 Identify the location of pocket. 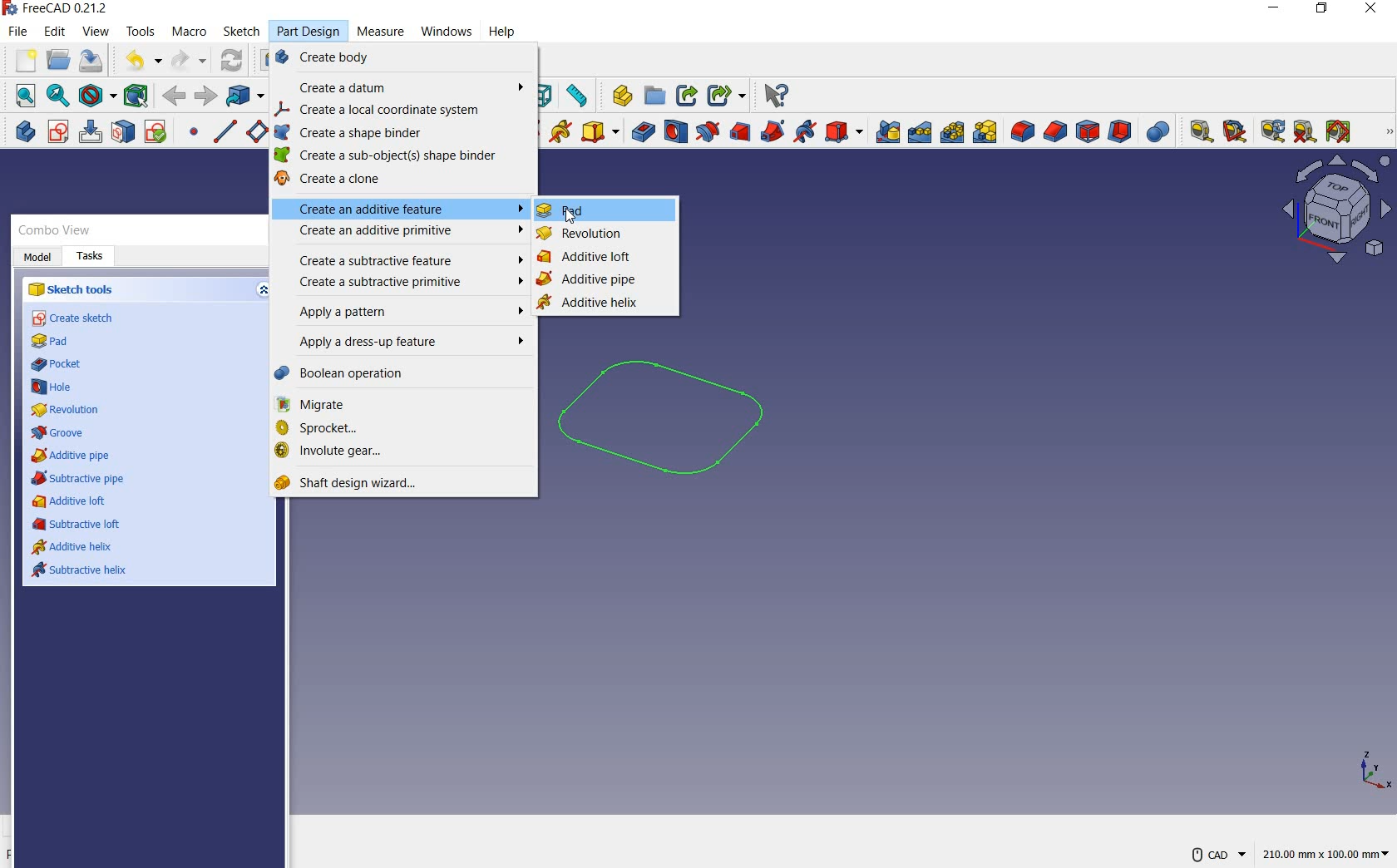
(641, 131).